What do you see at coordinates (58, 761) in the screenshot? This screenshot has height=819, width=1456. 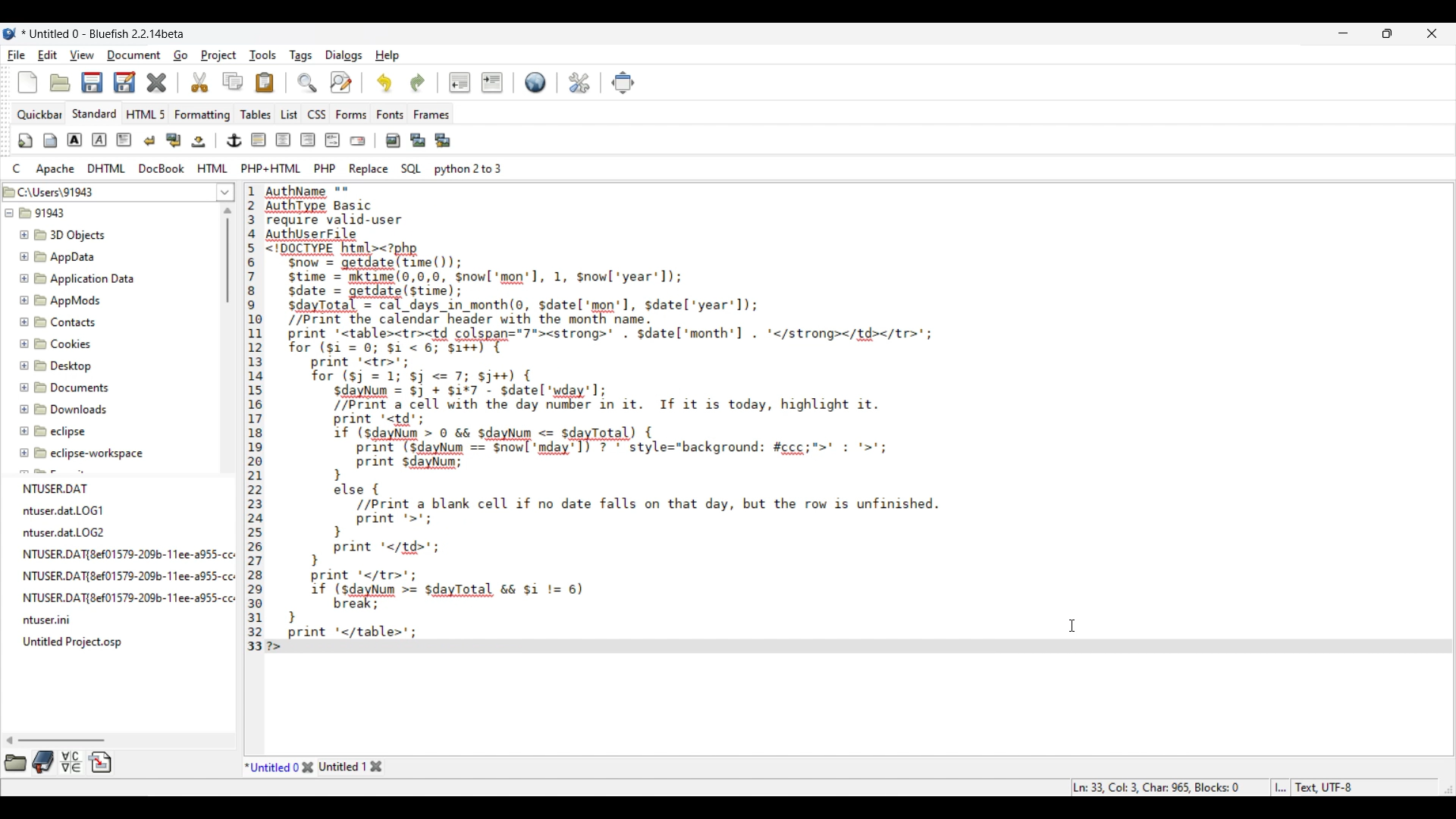 I see `More tool options` at bounding box center [58, 761].